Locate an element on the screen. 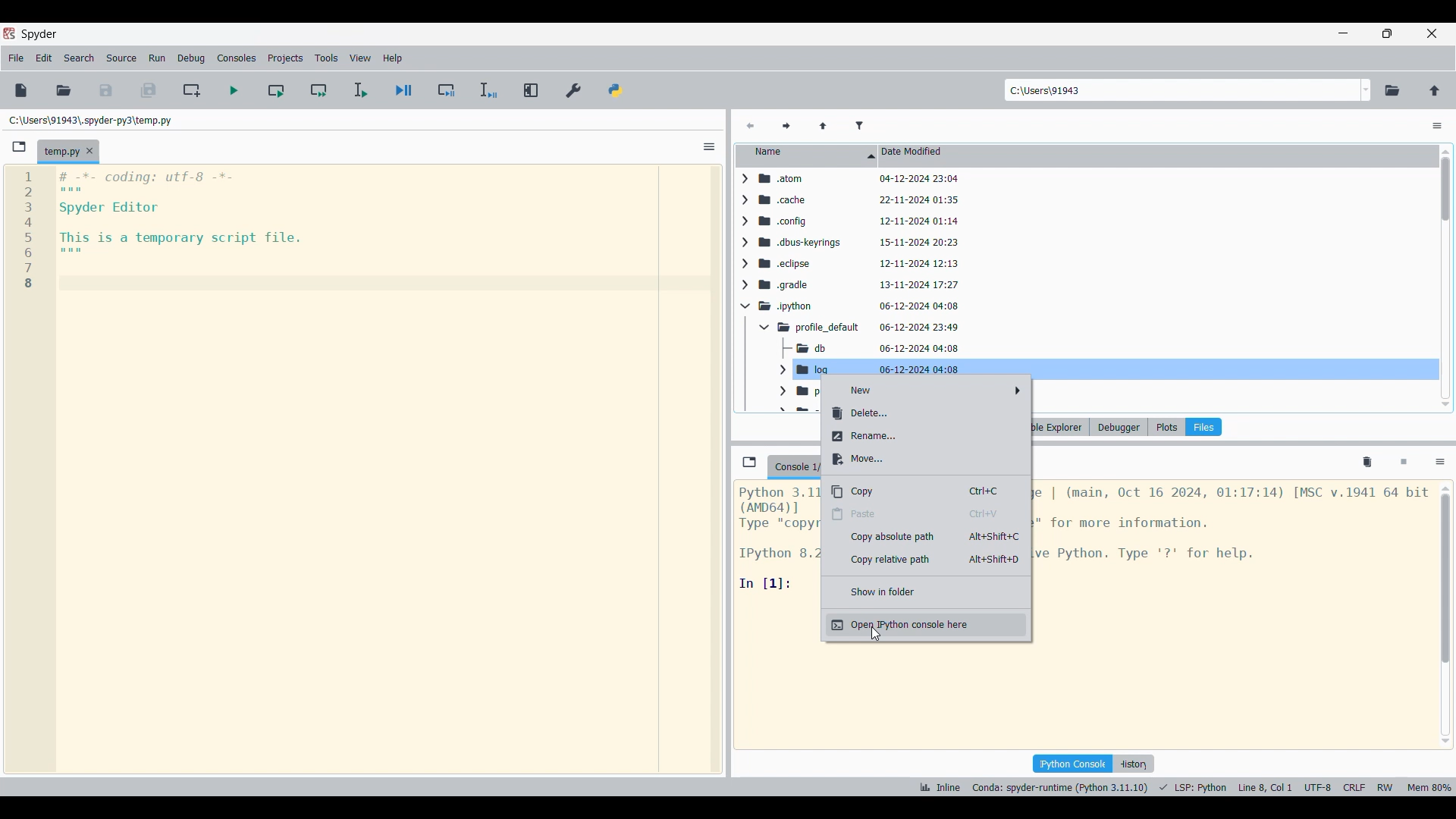 This screenshot has height=819, width=1456. Folder location options is located at coordinates (1366, 90).